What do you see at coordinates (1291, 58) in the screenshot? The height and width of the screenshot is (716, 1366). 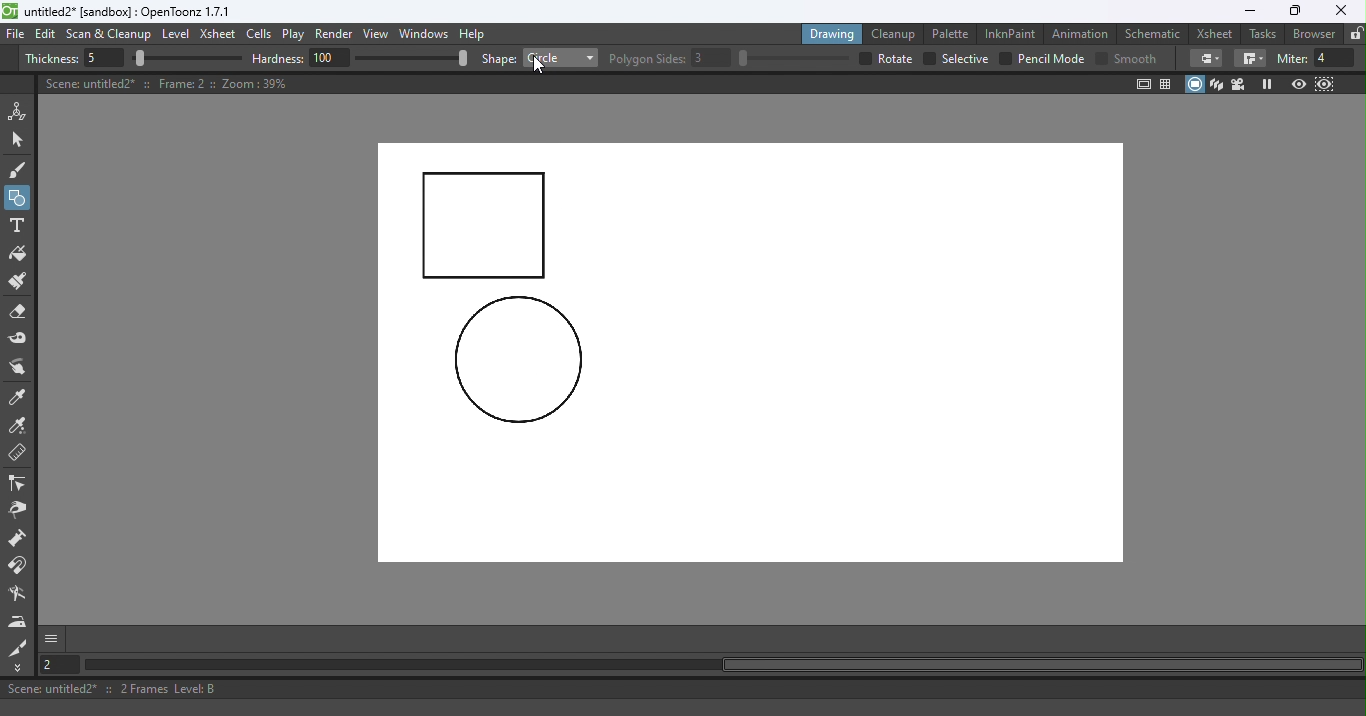 I see `miter` at bounding box center [1291, 58].